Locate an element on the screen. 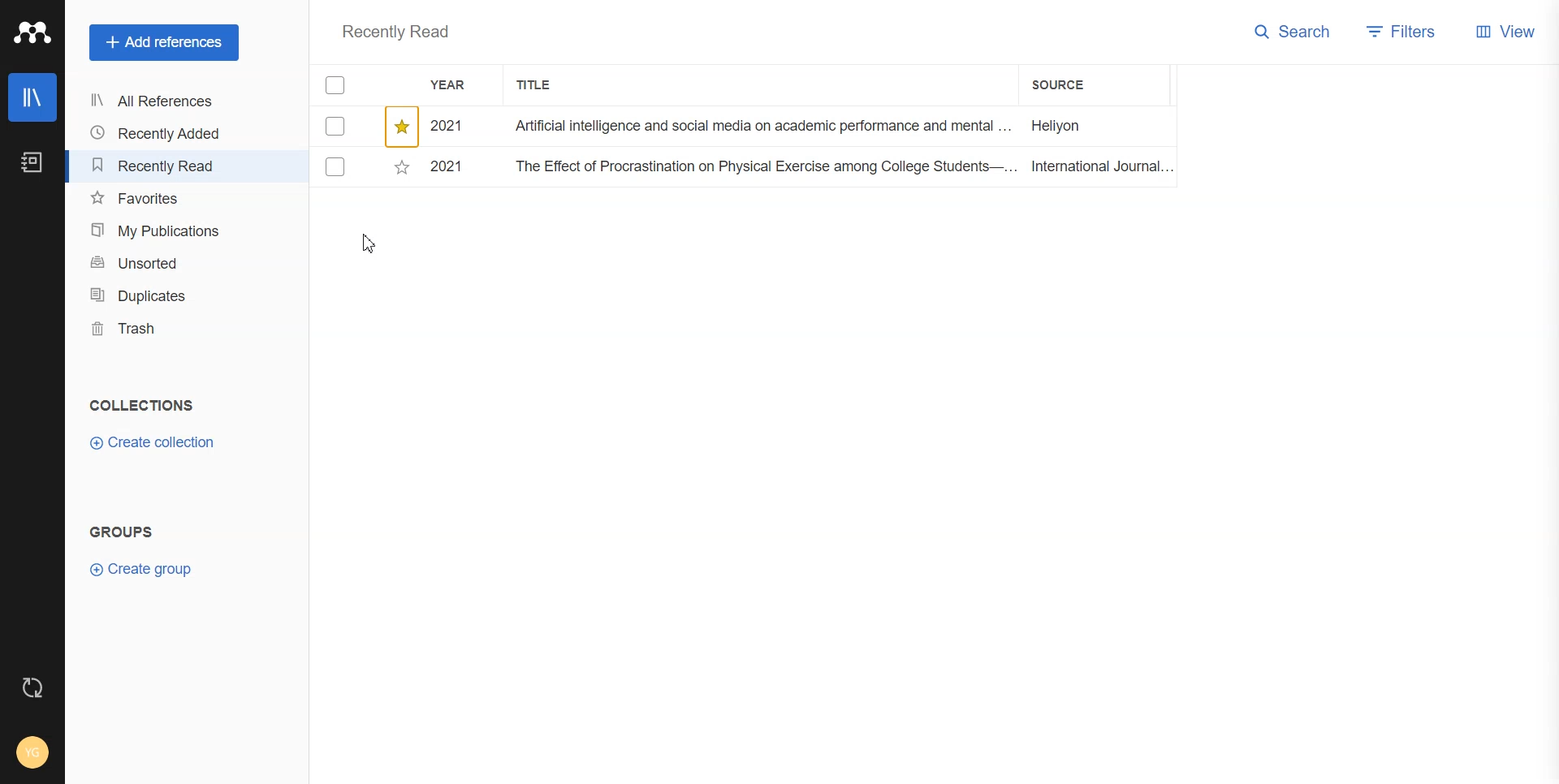  Year is located at coordinates (457, 84).